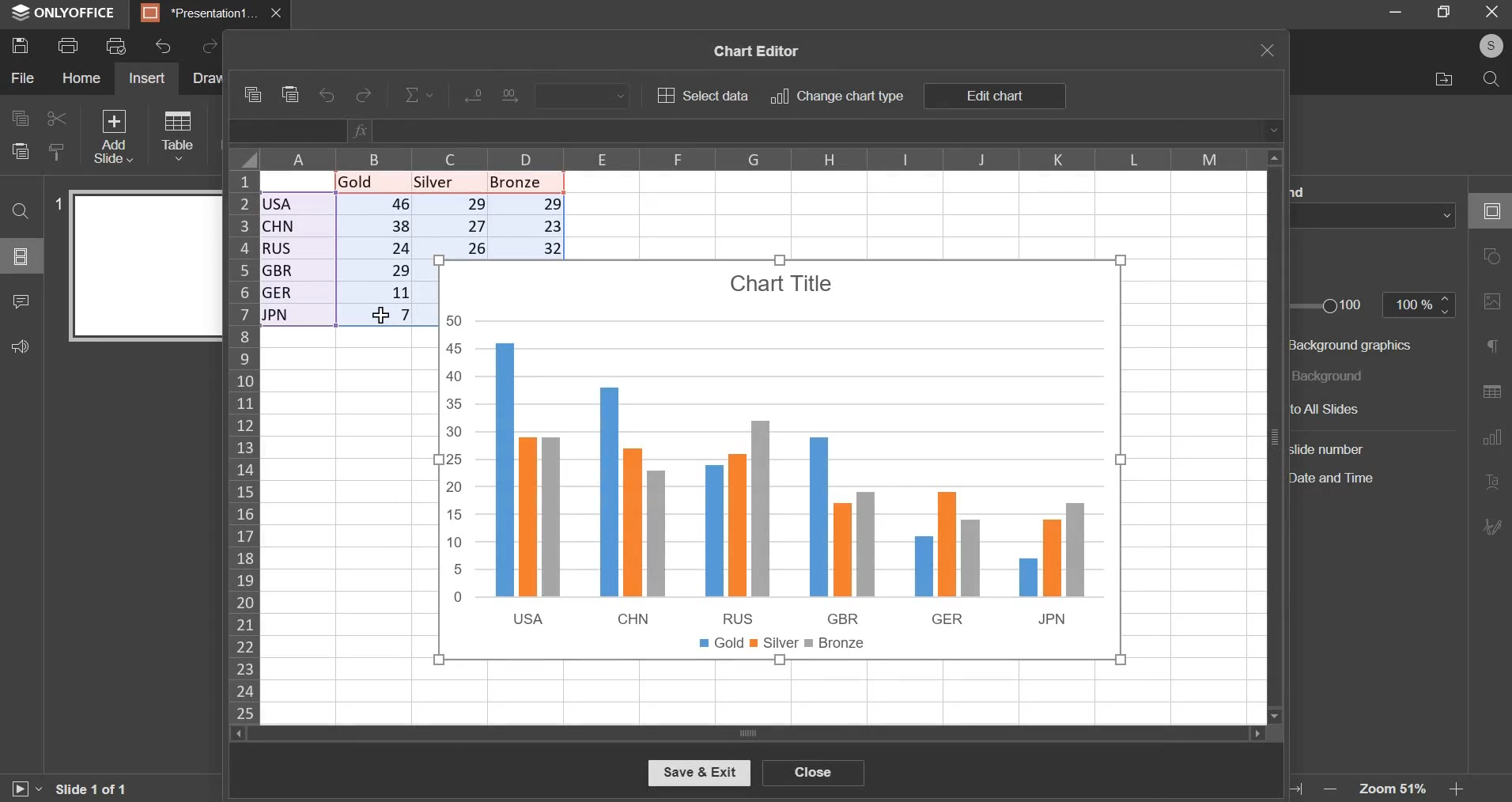  I want to click on background color fill, so click(1376, 215).